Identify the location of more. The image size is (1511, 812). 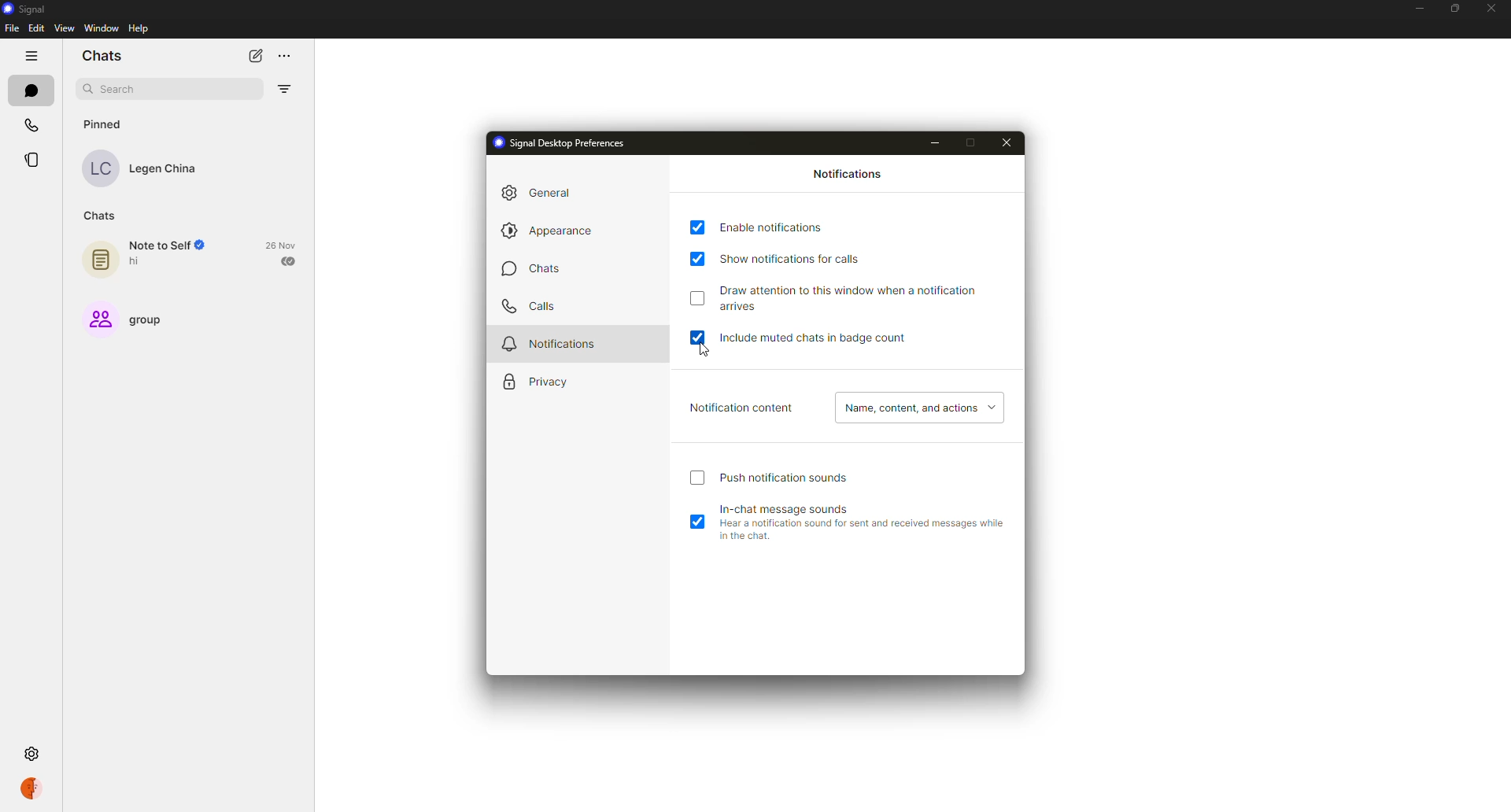
(286, 57).